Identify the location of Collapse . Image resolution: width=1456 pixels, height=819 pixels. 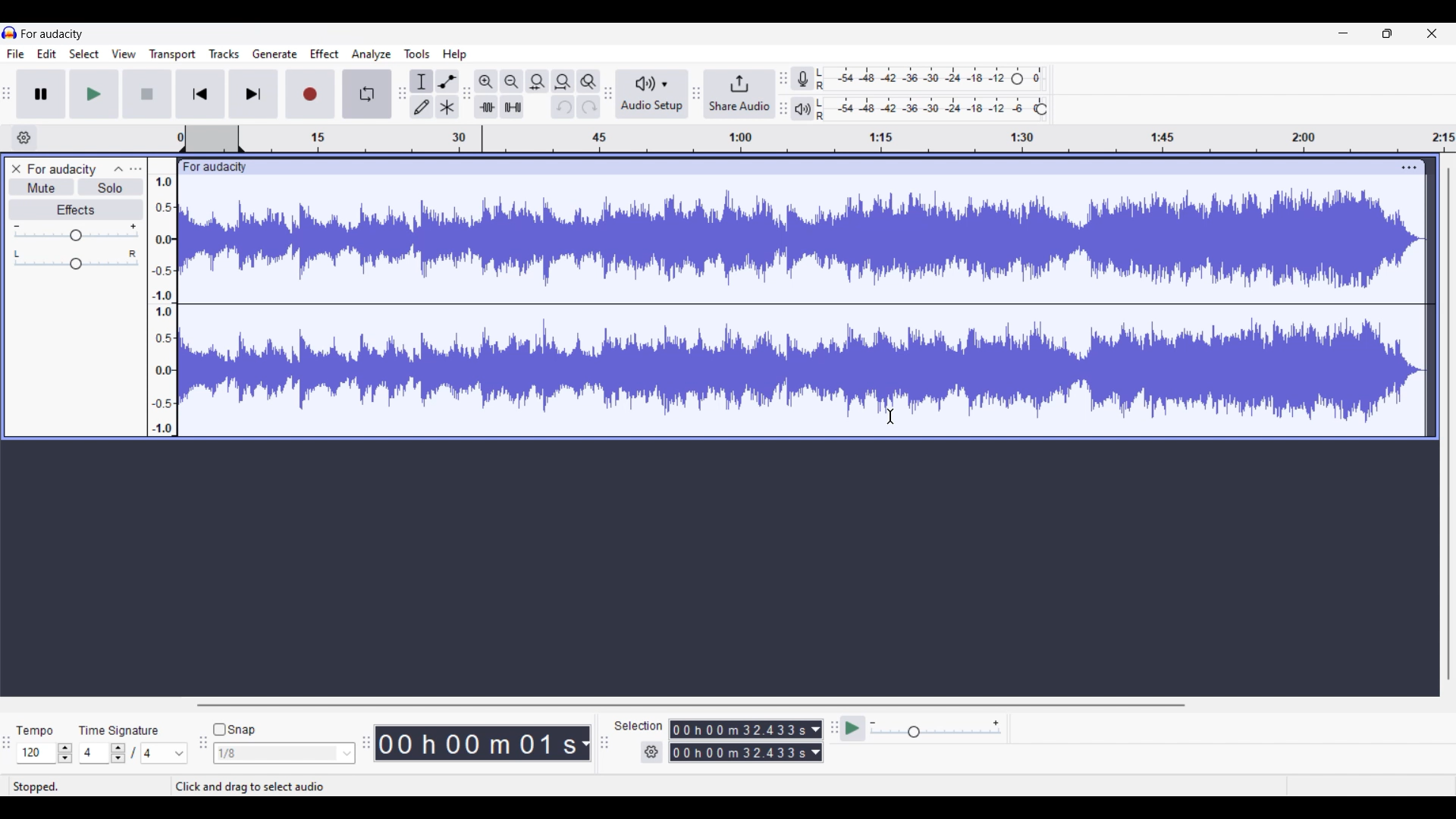
(118, 170).